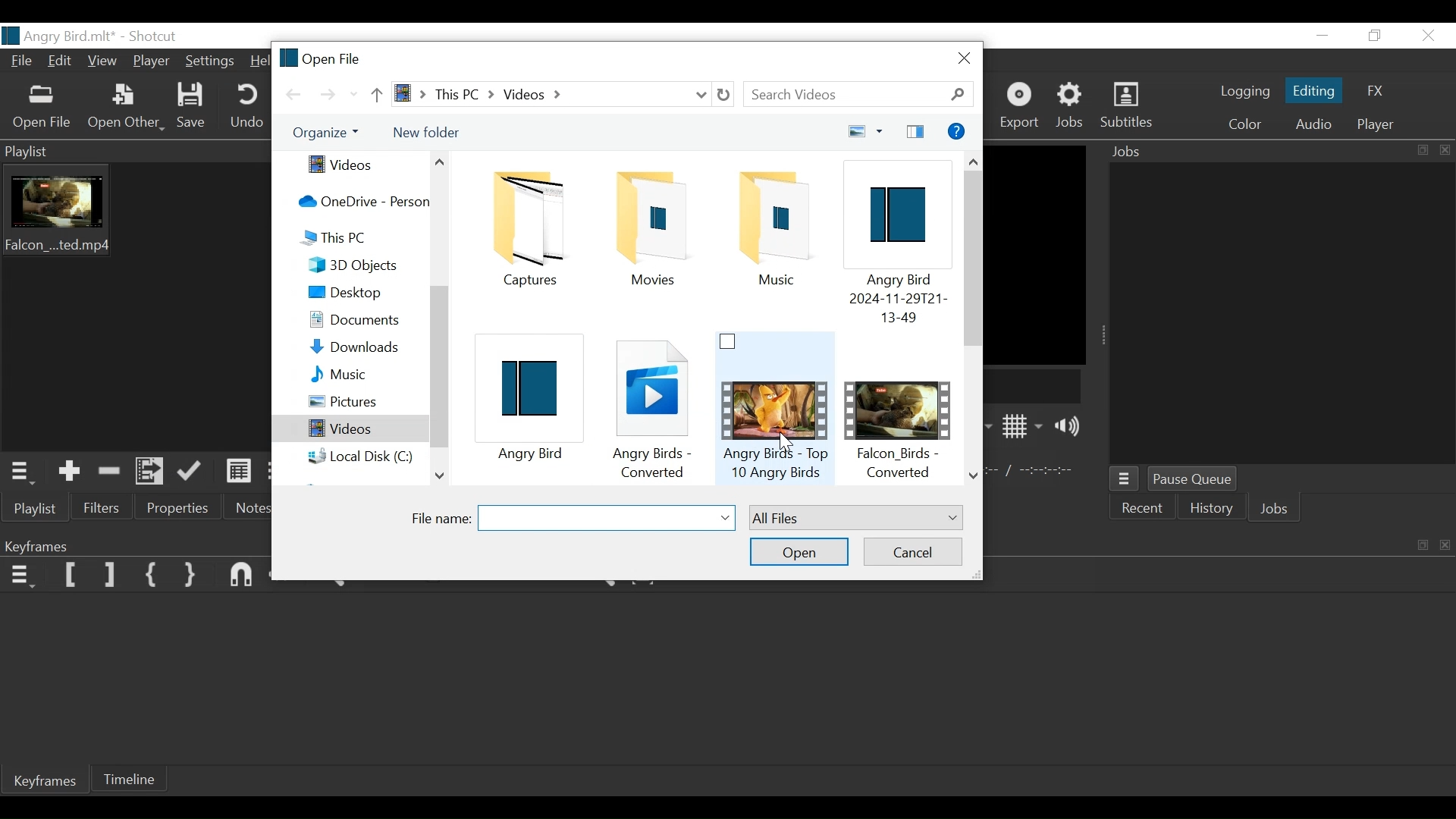 The width and height of the screenshot is (1456, 819). Describe the element at coordinates (895, 243) in the screenshot. I see `Project File` at that location.